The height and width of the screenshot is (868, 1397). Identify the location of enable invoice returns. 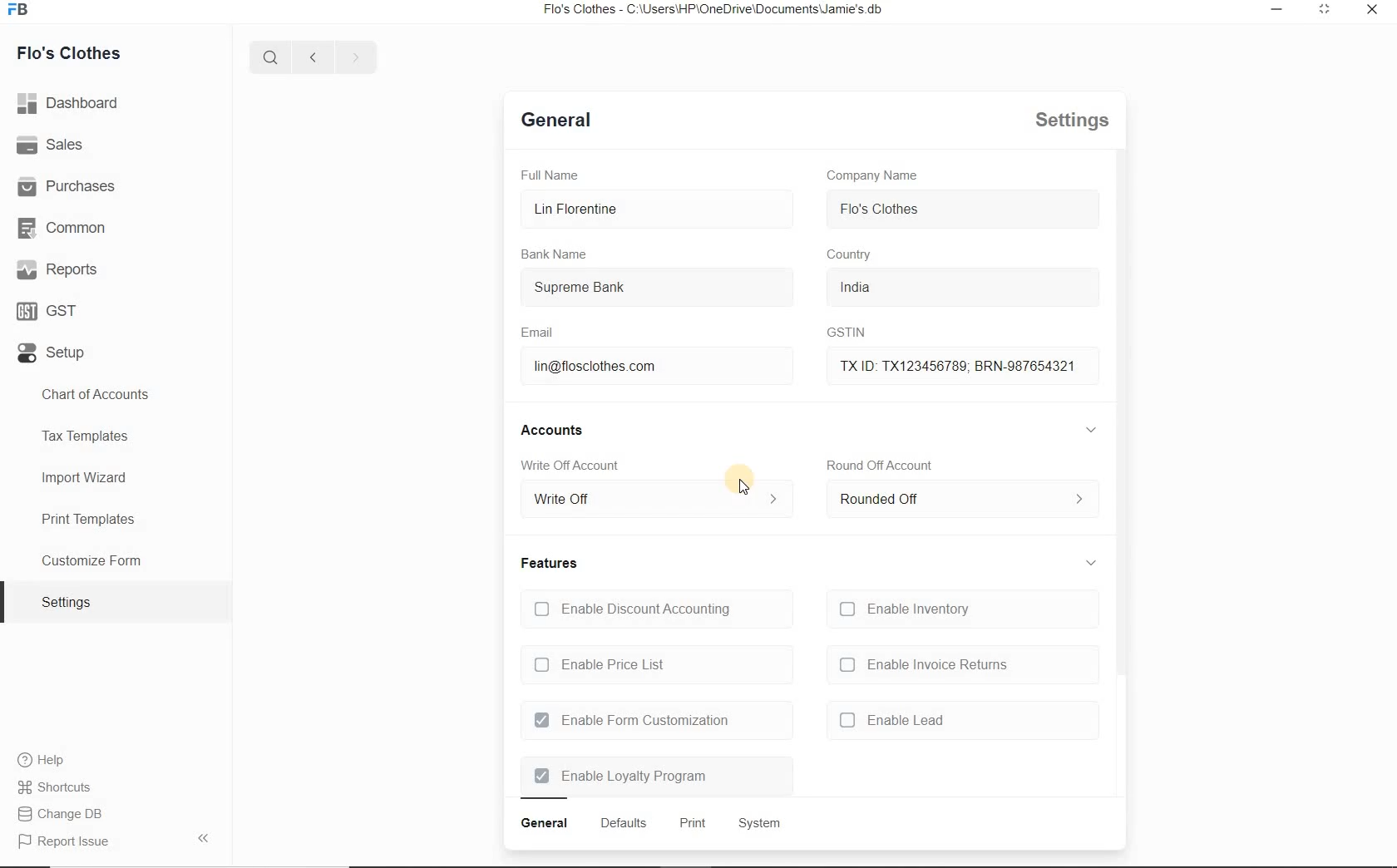
(923, 665).